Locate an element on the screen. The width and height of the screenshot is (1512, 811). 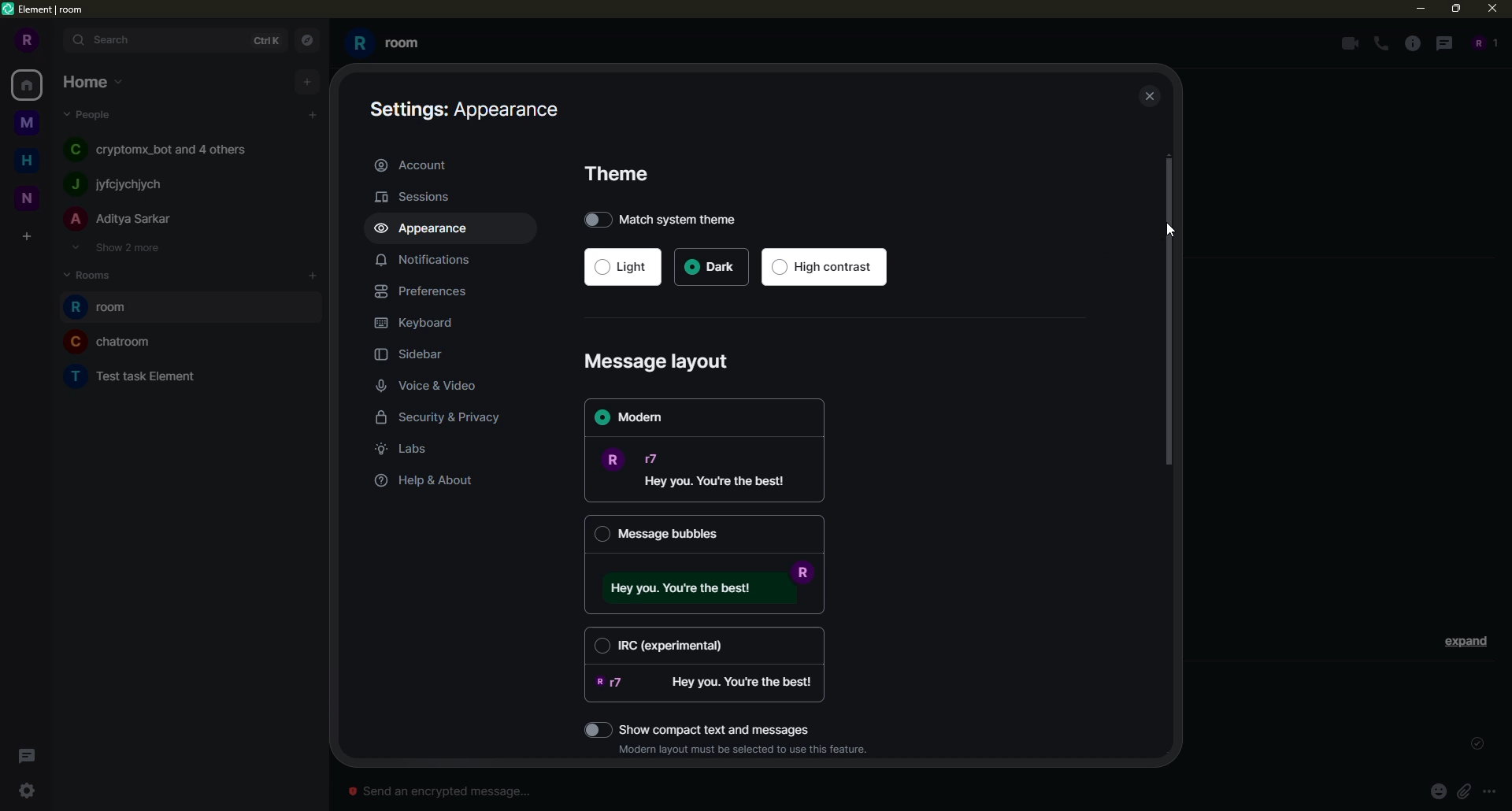
room is located at coordinates (138, 374).